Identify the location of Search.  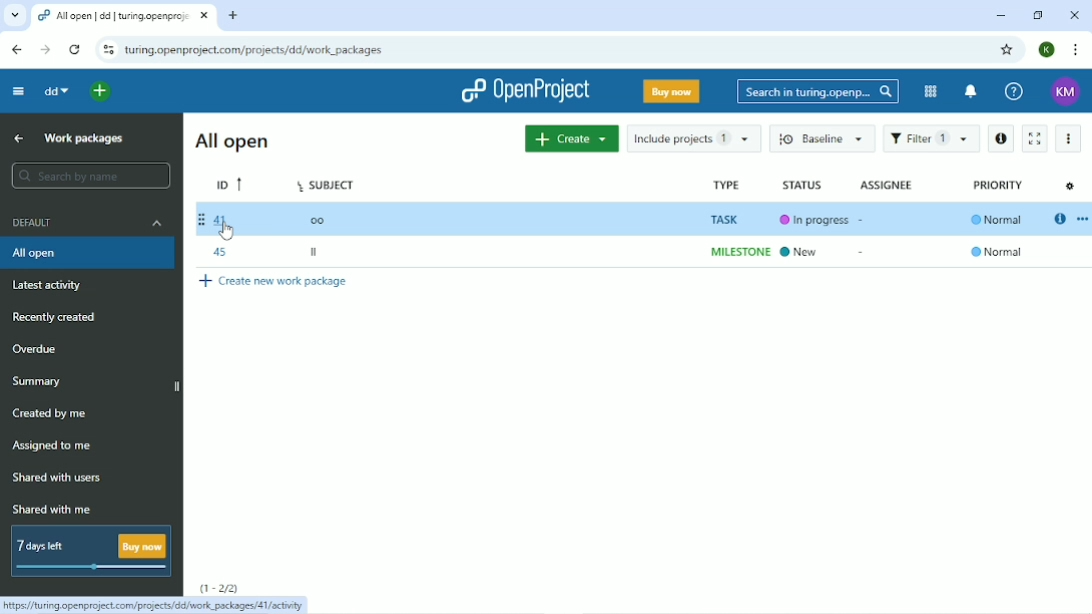
(816, 92).